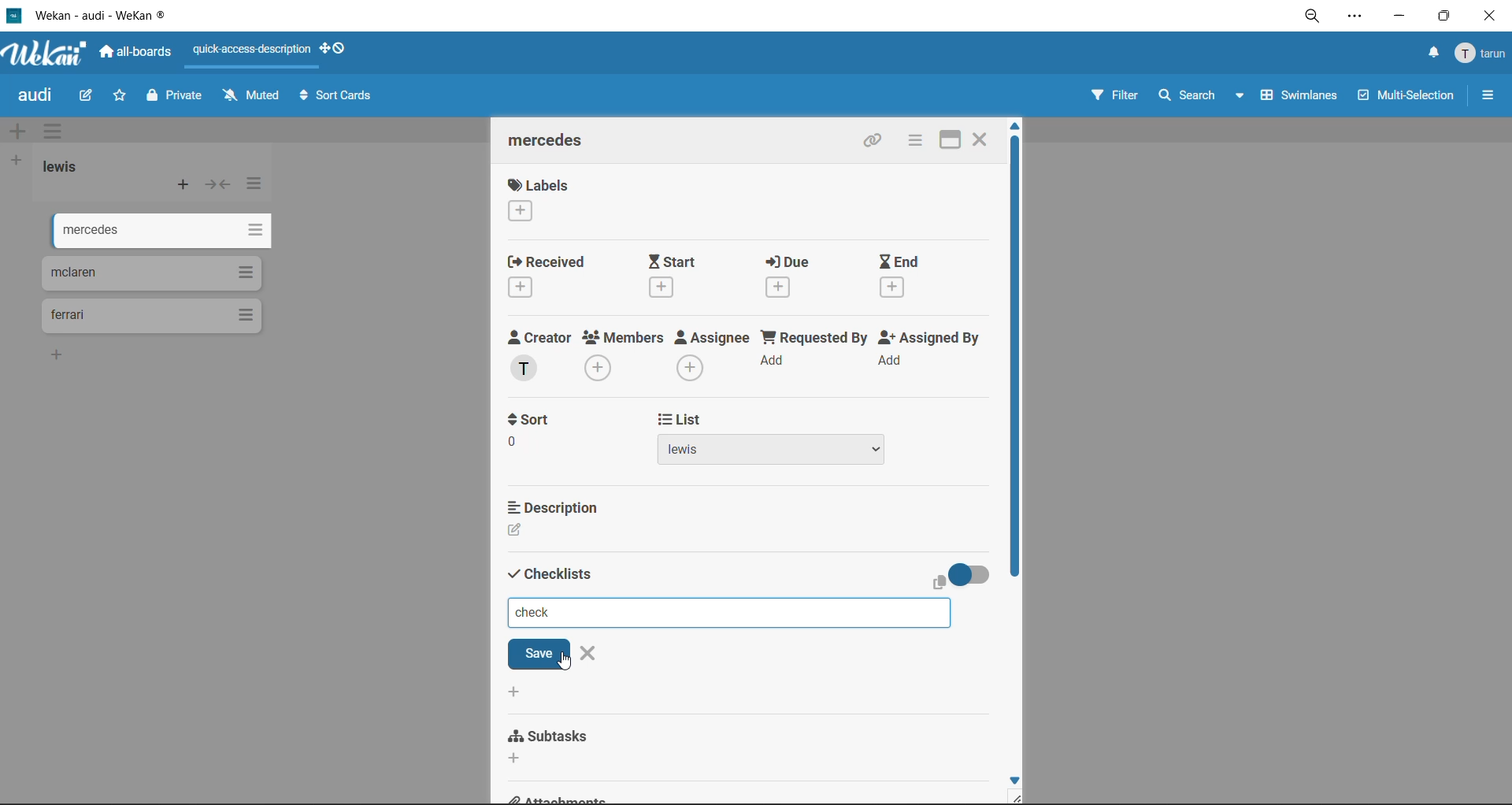  What do you see at coordinates (550, 572) in the screenshot?
I see `checklists` at bounding box center [550, 572].